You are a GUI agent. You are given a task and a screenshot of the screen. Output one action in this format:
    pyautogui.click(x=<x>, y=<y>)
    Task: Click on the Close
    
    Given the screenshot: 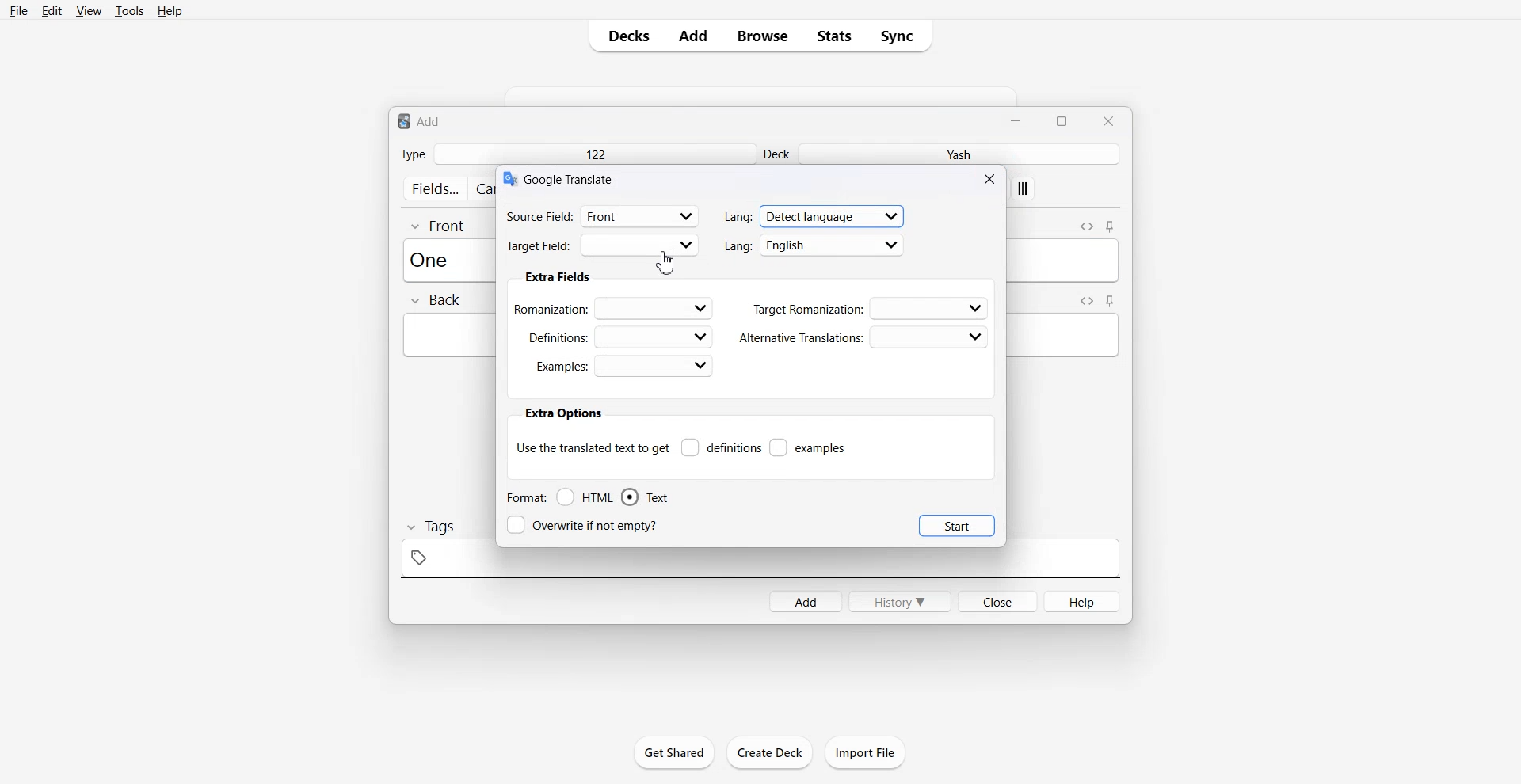 What is the action you would take?
    pyautogui.click(x=997, y=600)
    